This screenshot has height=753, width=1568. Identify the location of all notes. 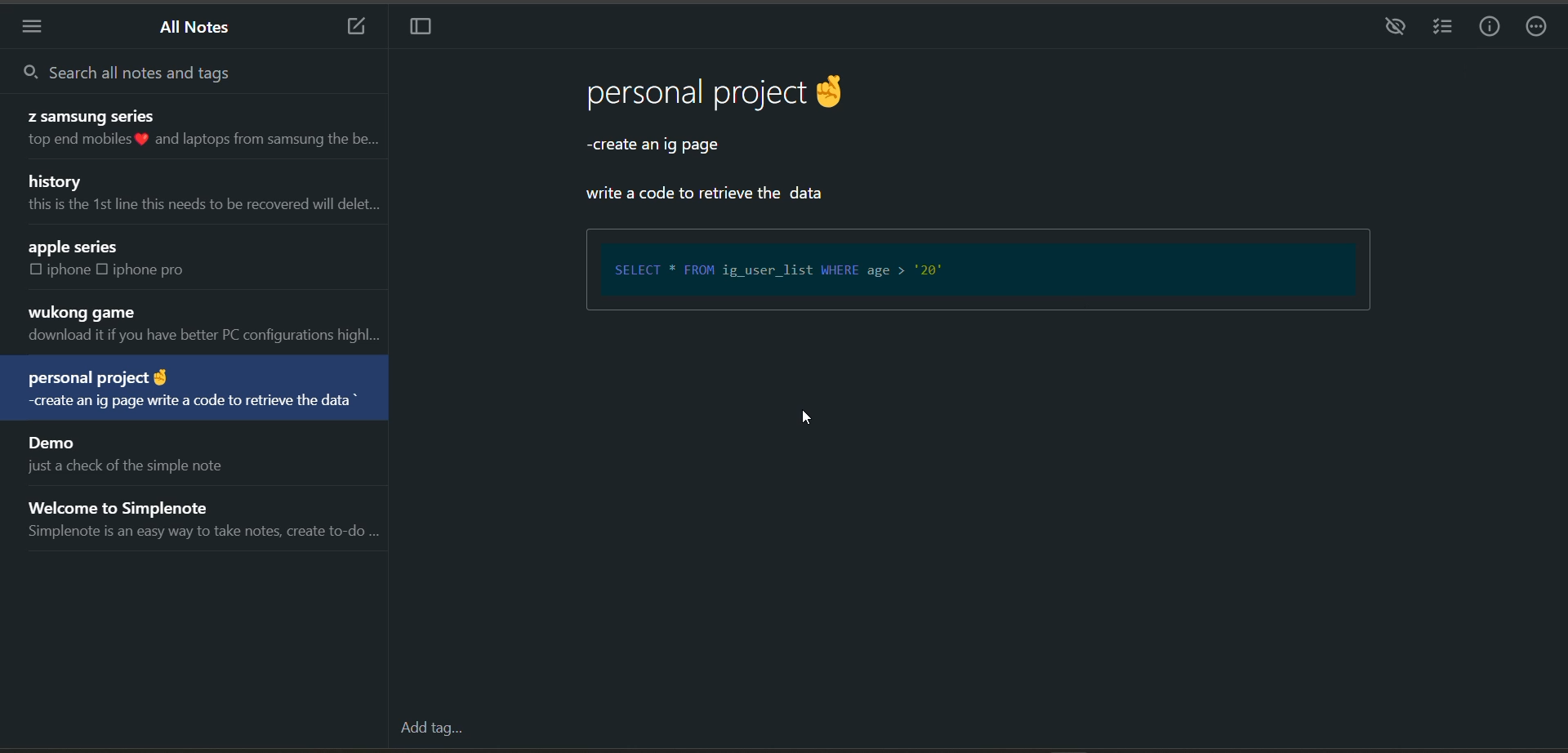
(197, 30).